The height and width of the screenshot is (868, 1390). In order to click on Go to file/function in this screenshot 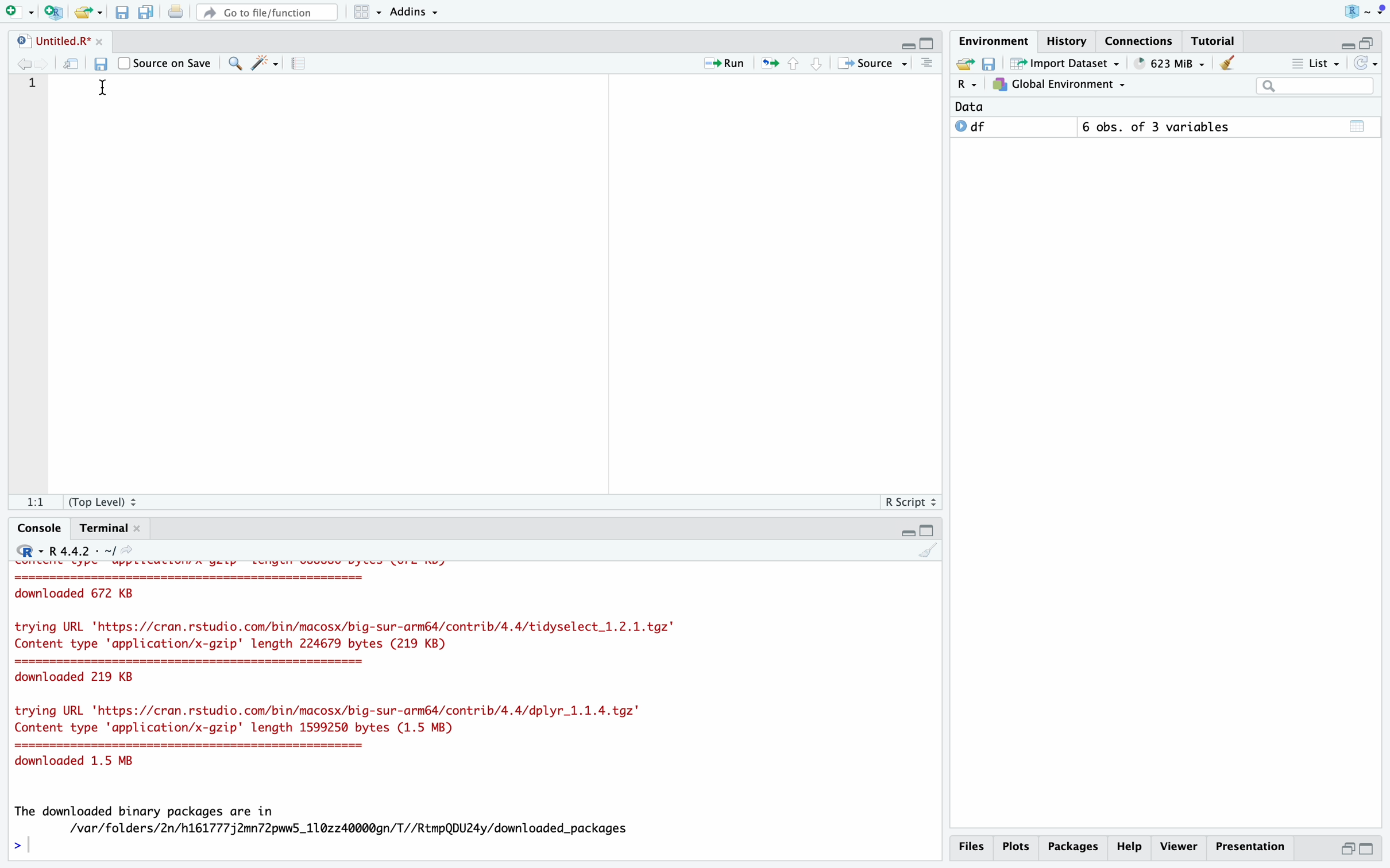, I will do `click(265, 13)`.